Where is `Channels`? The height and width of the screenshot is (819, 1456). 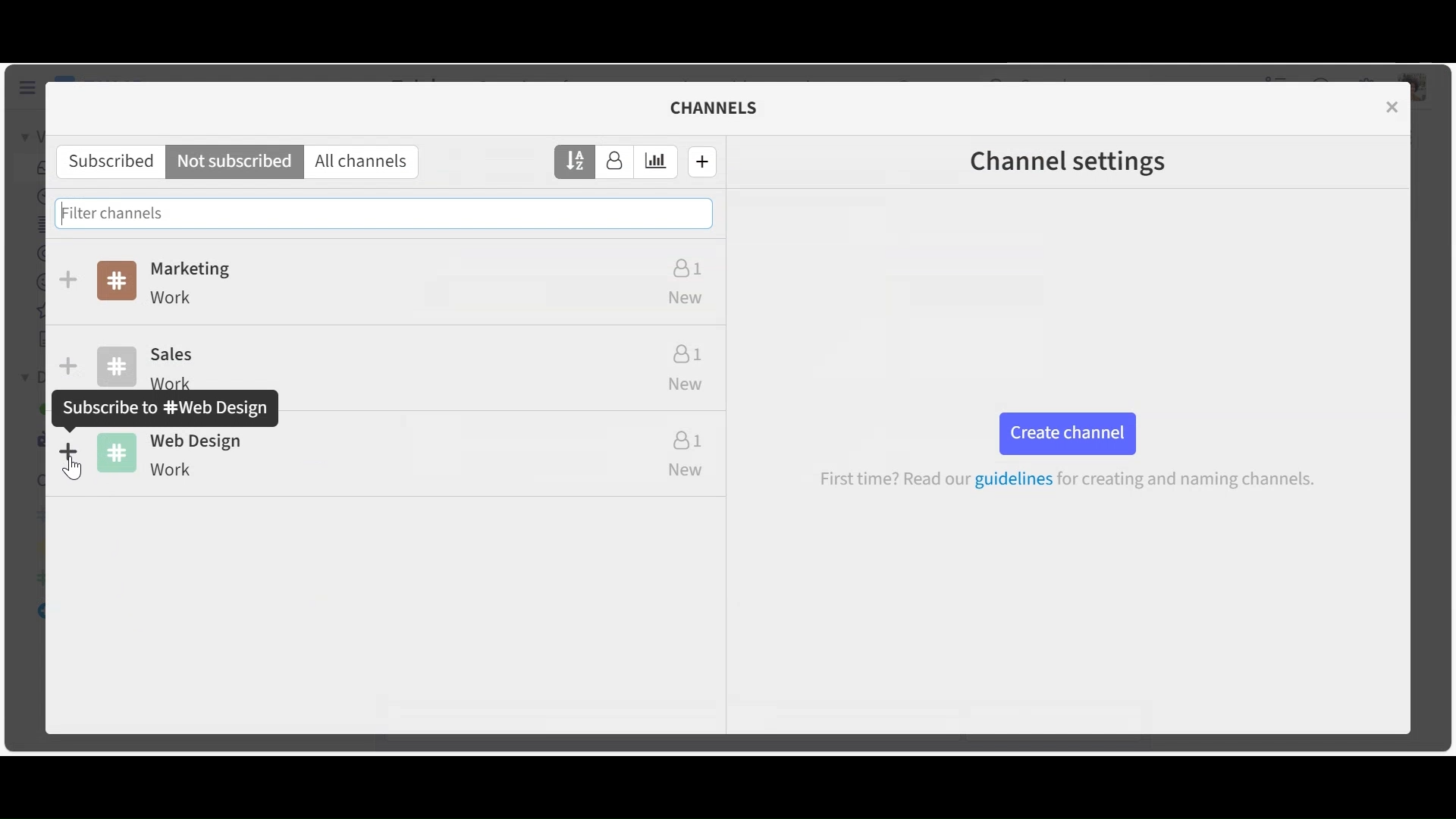 Channels is located at coordinates (717, 106).